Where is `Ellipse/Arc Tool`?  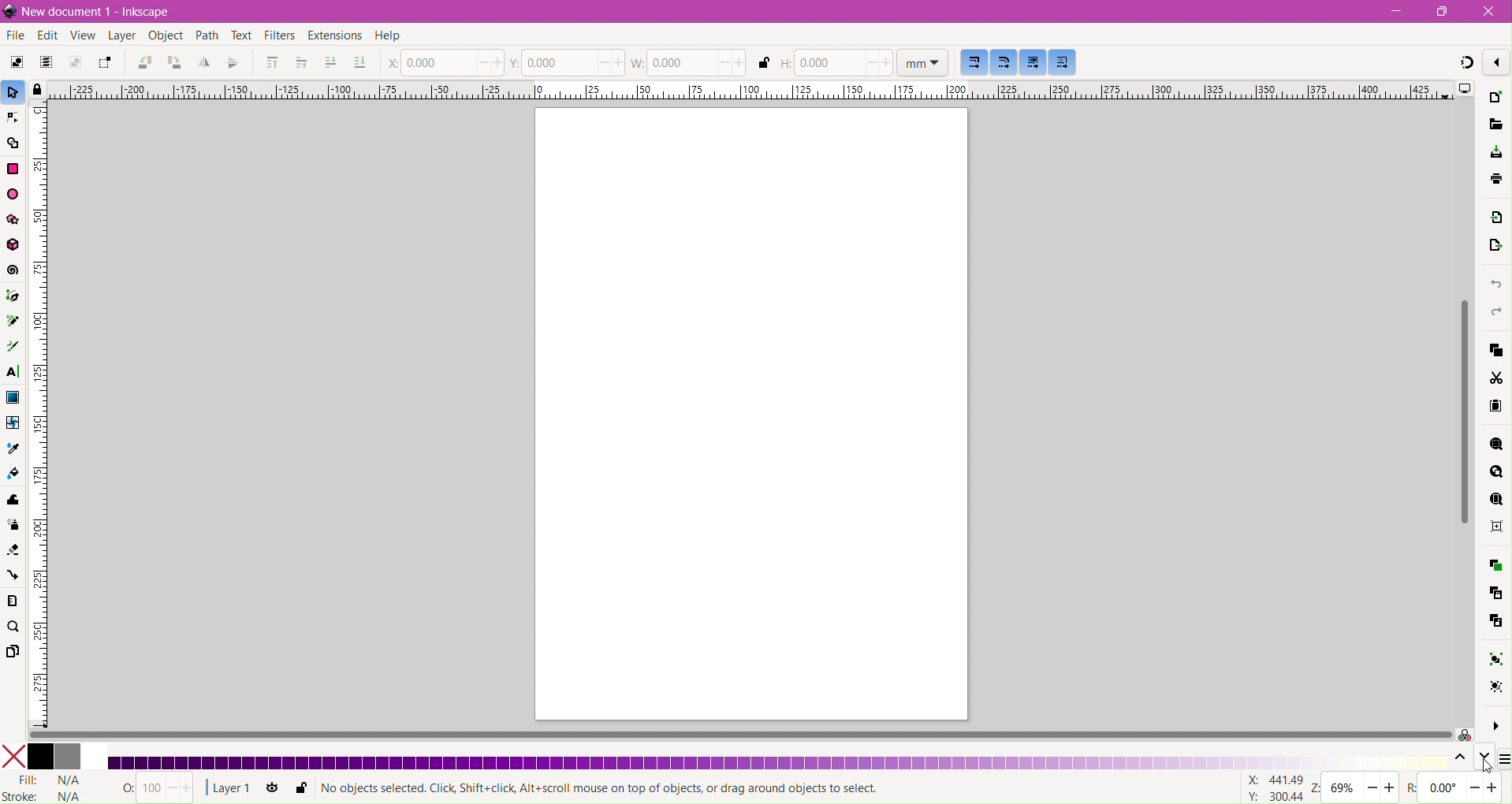
Ellipse/Arc Tool is located at coordinates (14, 194).